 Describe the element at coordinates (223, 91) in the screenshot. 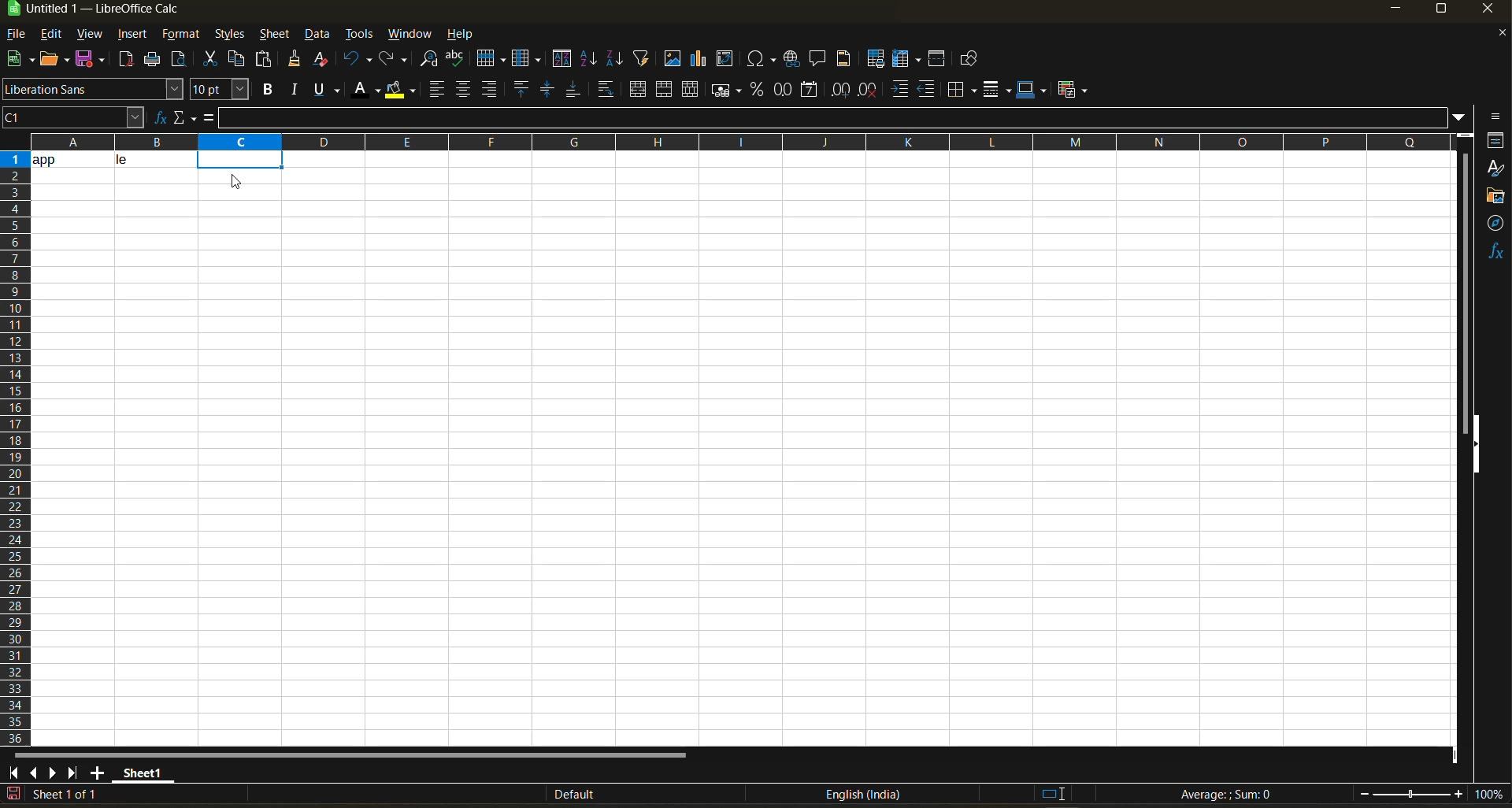

I see `font size` at that location.